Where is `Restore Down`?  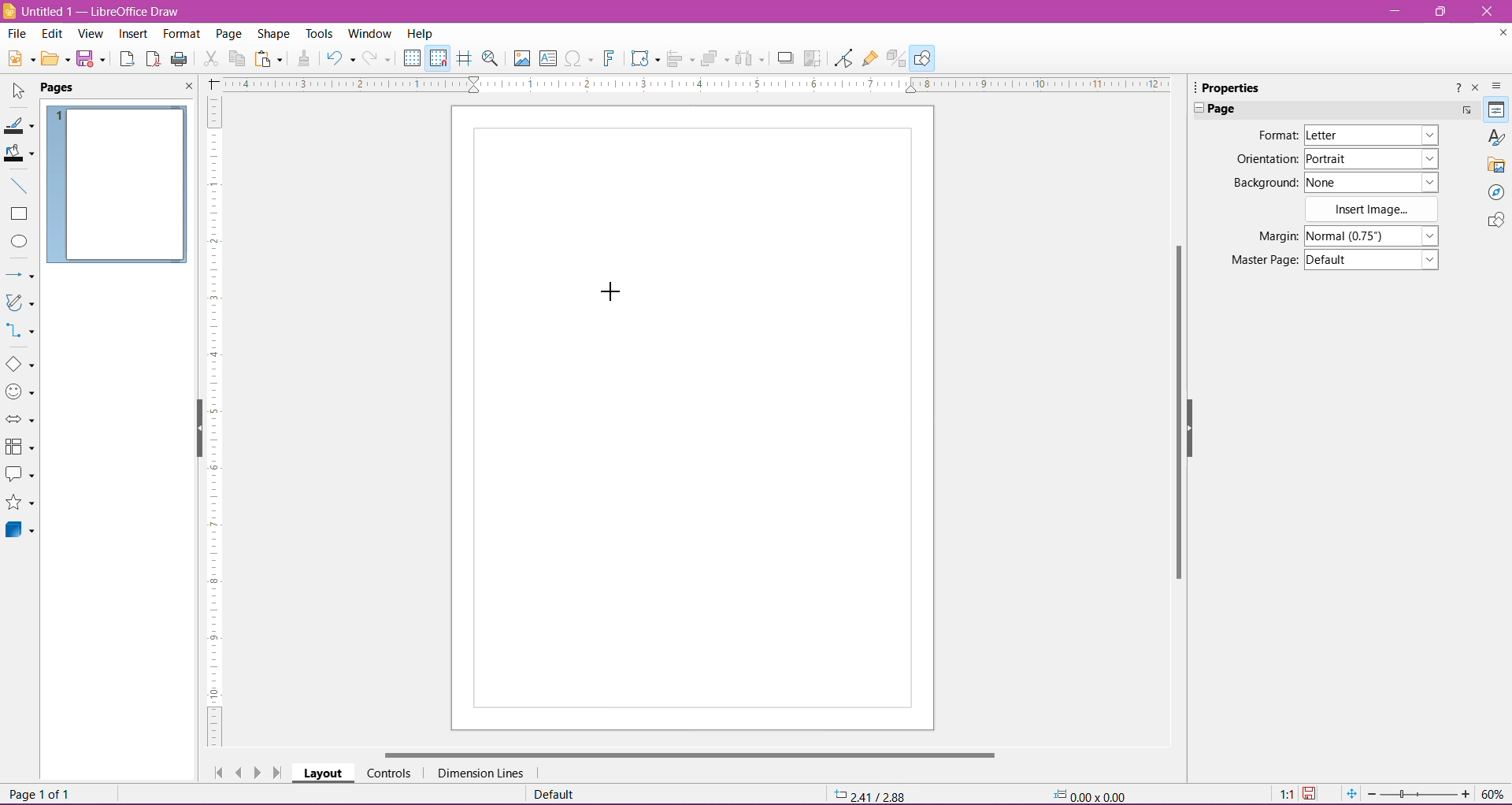 Restore Down is located at coordinates (1439, 11).